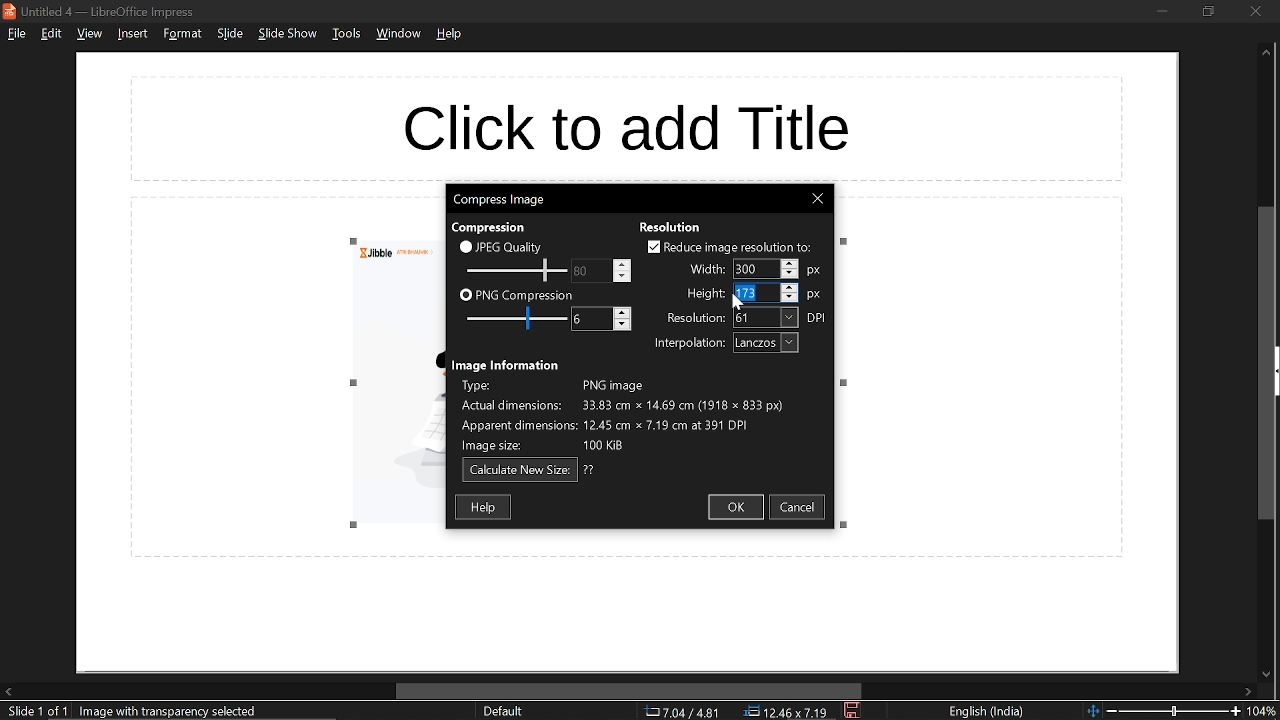  Describe the element at coordinates (229, 35) in the screenshot. I see `slide` at that location.